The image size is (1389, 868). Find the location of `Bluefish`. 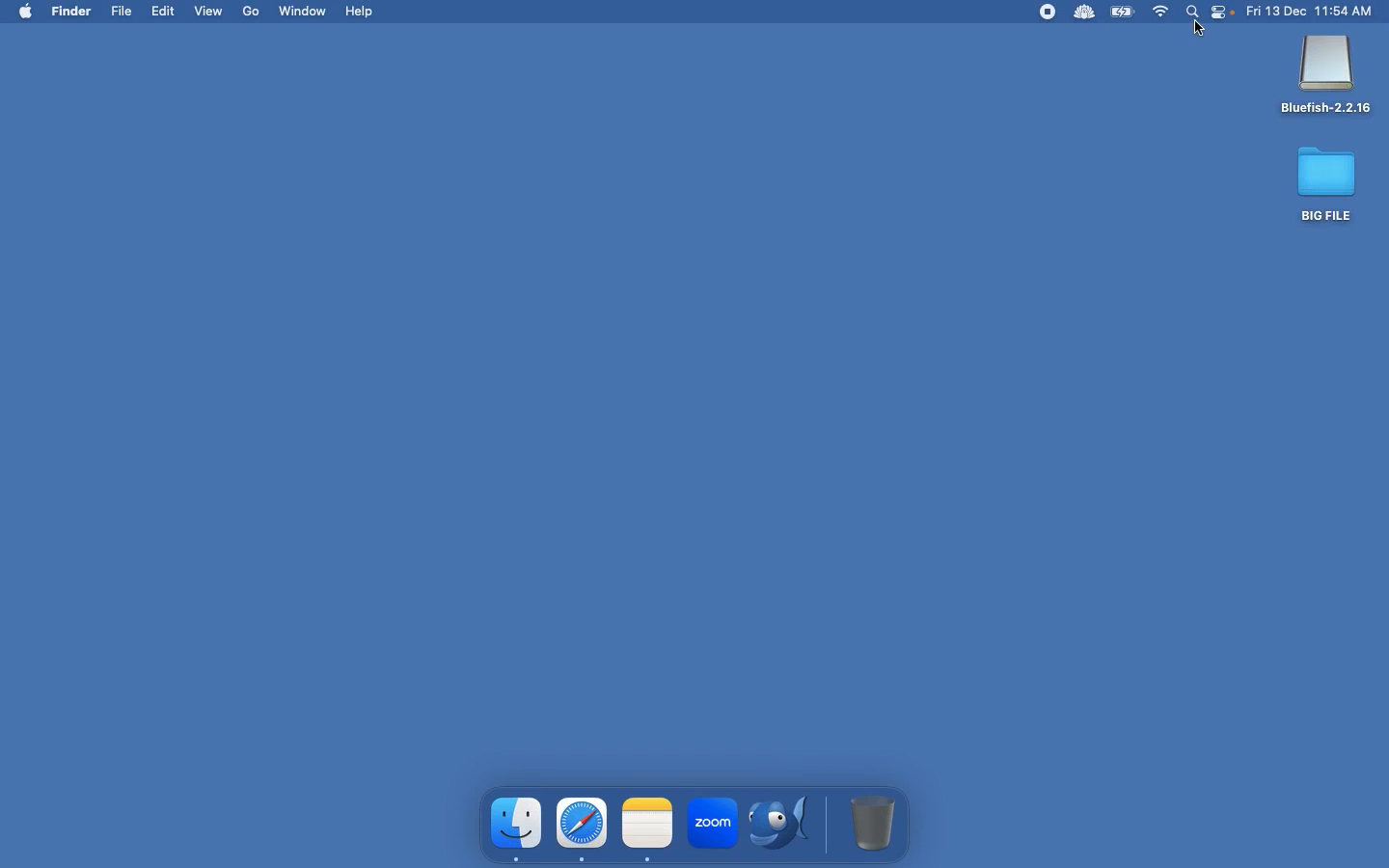

Bluefish is located at coordinates (785, 826).